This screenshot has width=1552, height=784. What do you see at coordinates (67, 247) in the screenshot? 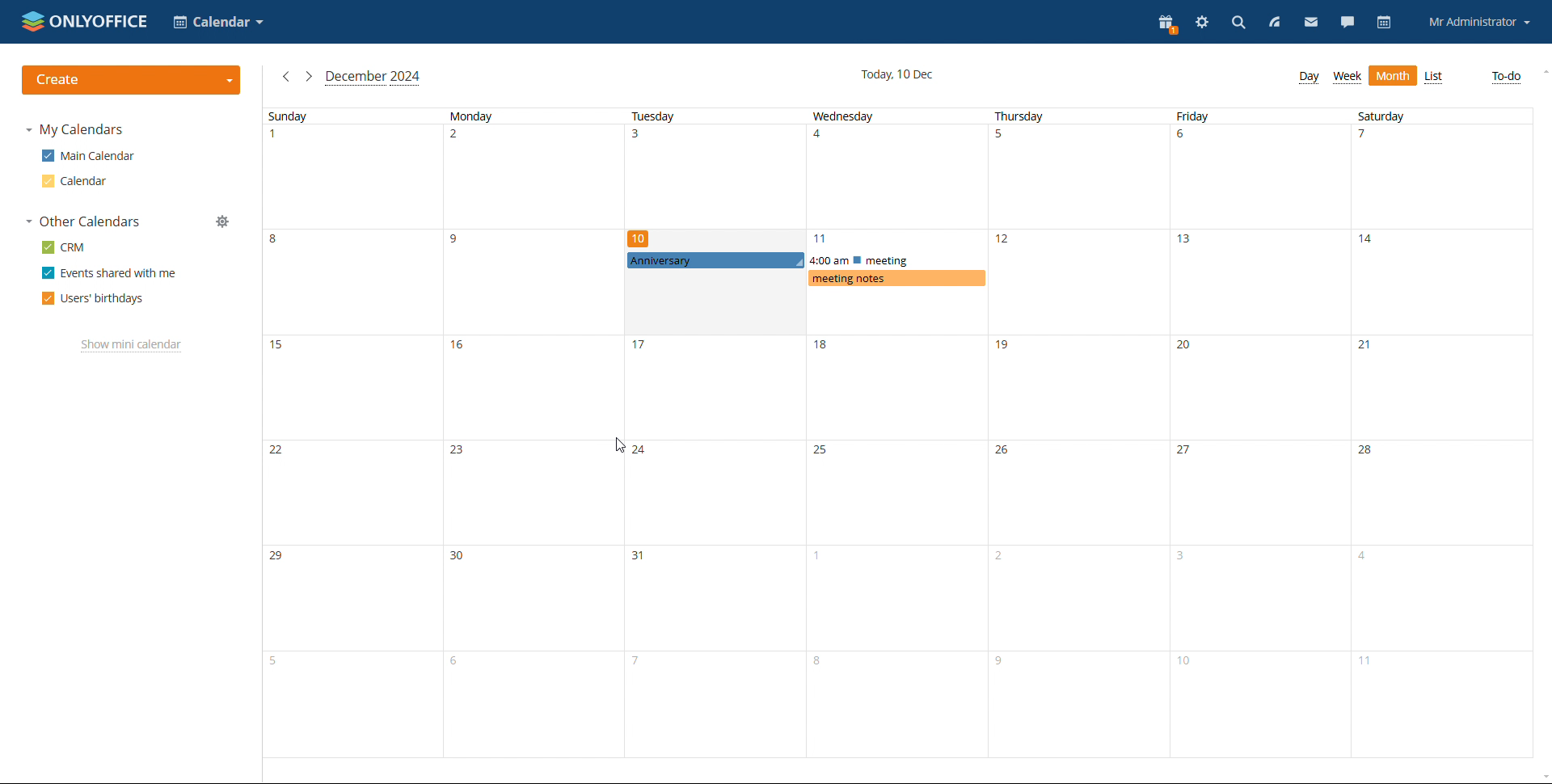
I see `crm` at bounding box center [67, 247].